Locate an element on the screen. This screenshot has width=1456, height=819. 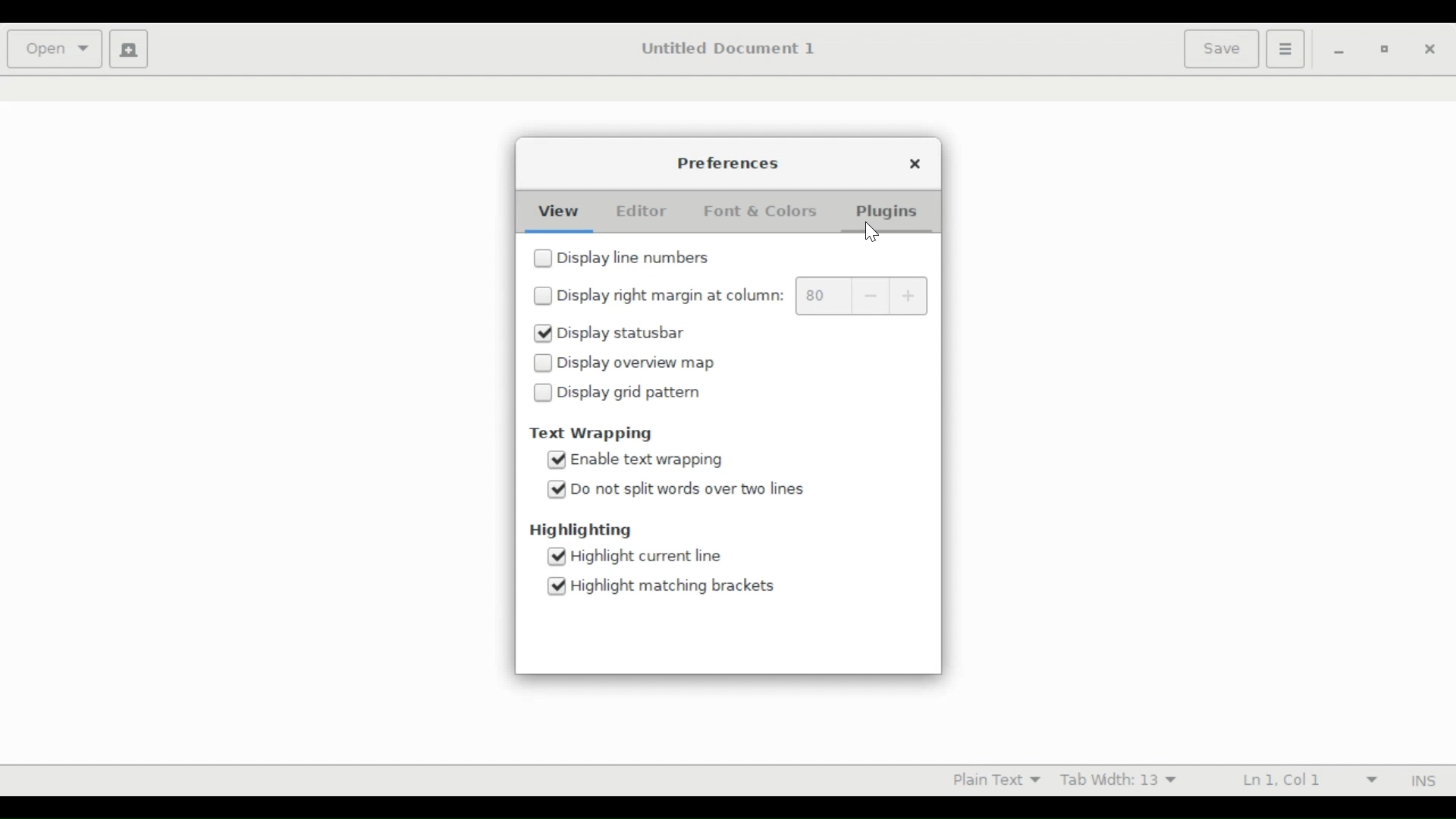
Close is located at coordinates (916, 165).